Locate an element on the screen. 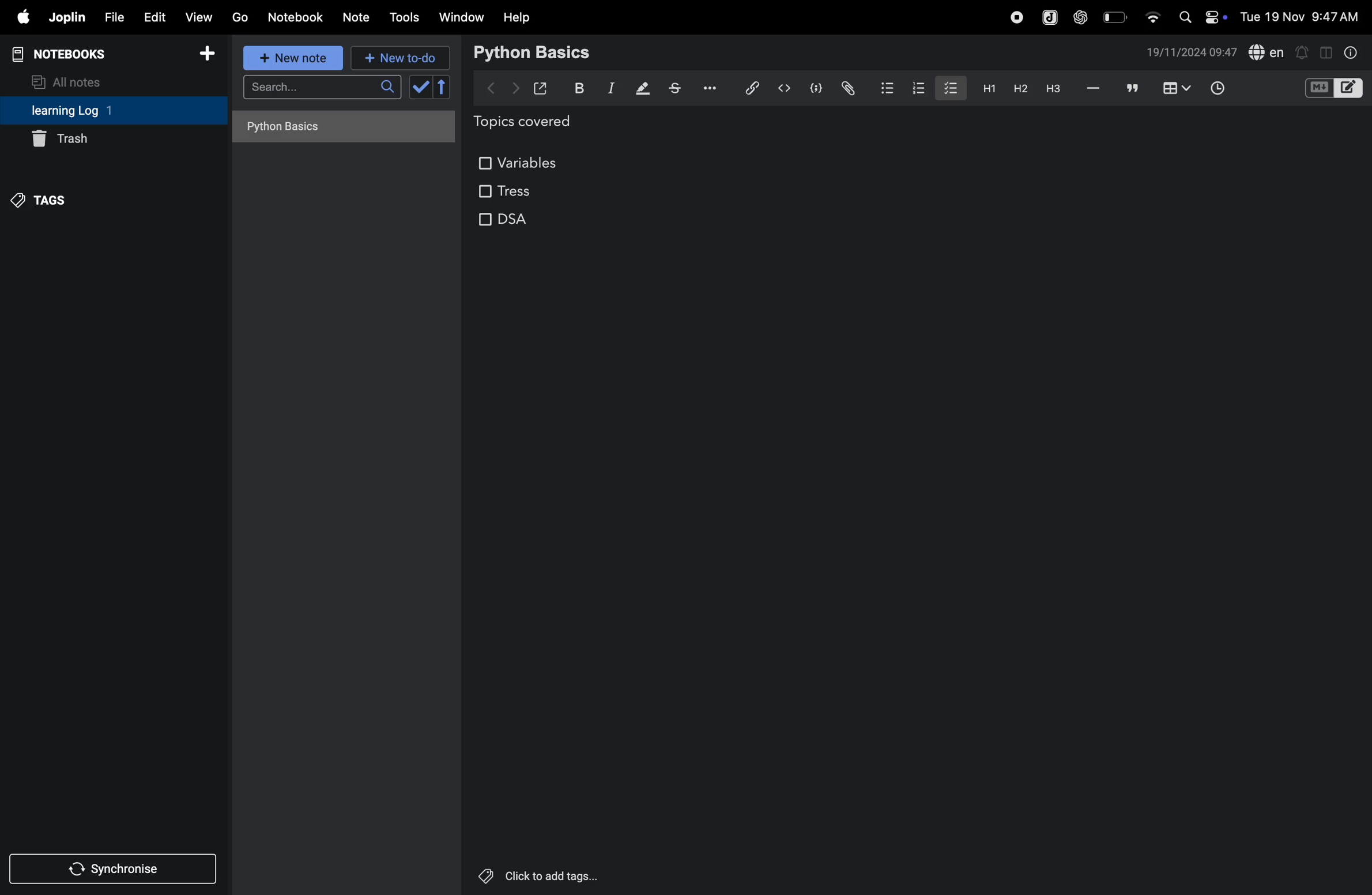 This screenshot has height=895, width=1372. bold is located at coordinates (576, 88).